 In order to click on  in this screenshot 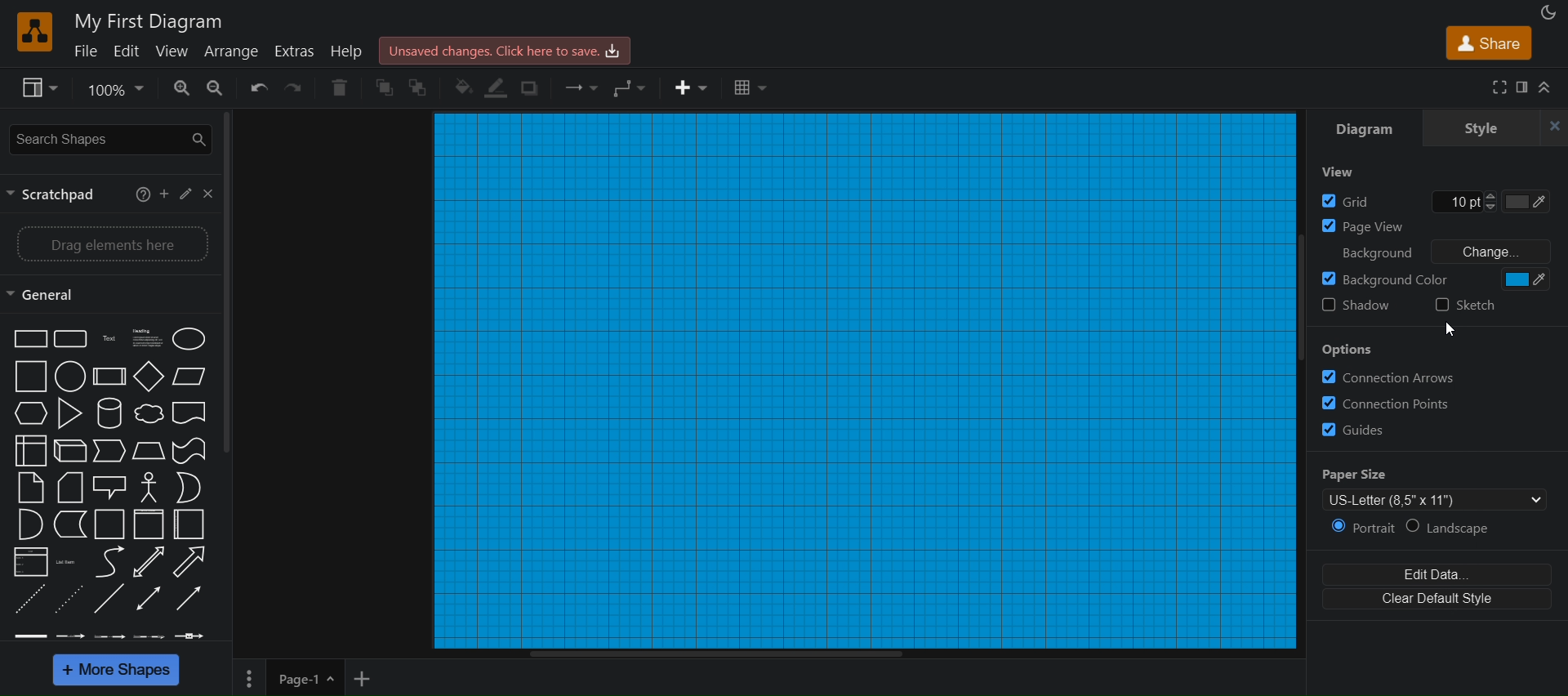, I will do `click(347, 53)`.